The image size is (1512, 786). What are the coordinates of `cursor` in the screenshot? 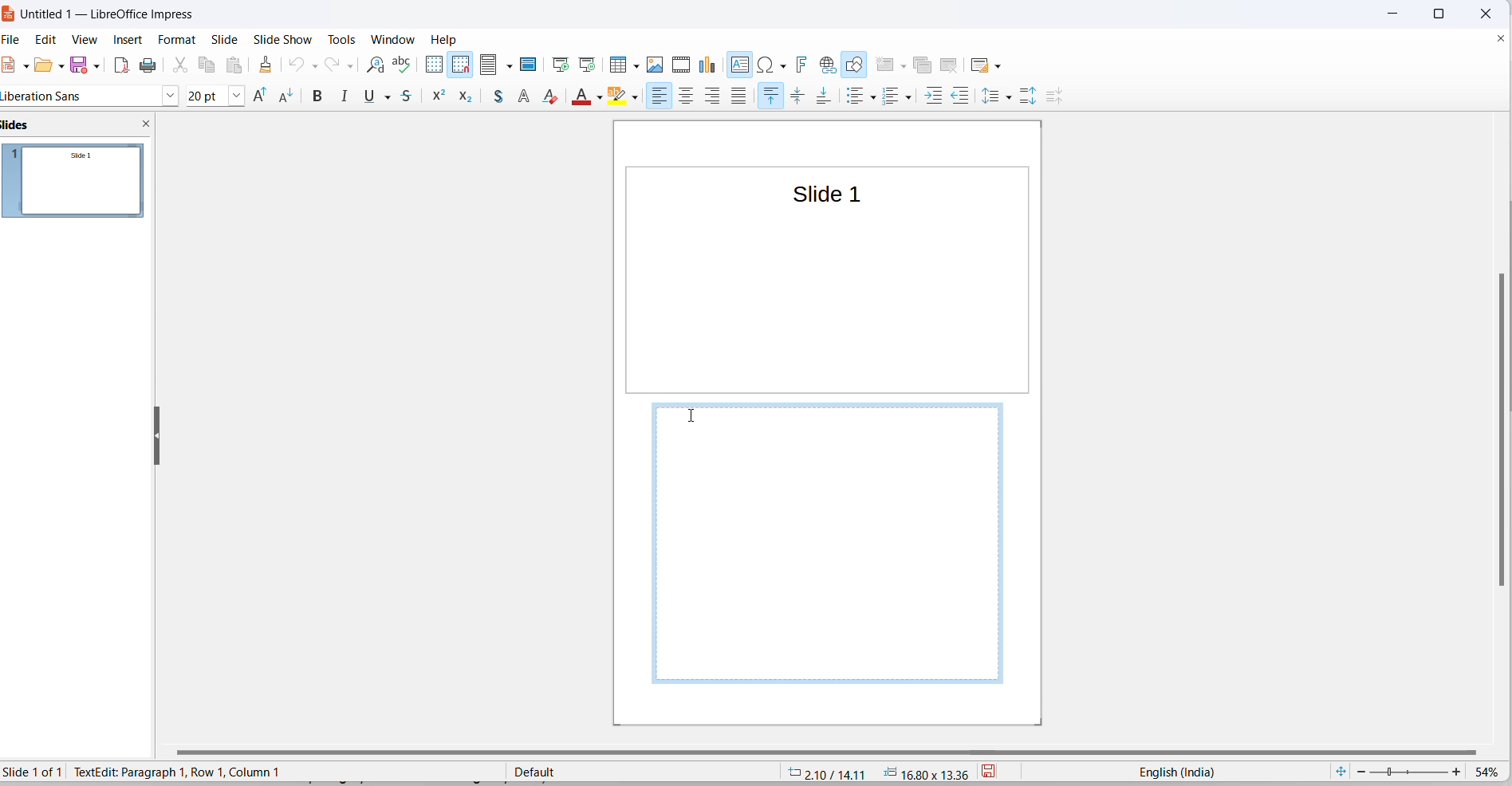 It's located at (513, 71).